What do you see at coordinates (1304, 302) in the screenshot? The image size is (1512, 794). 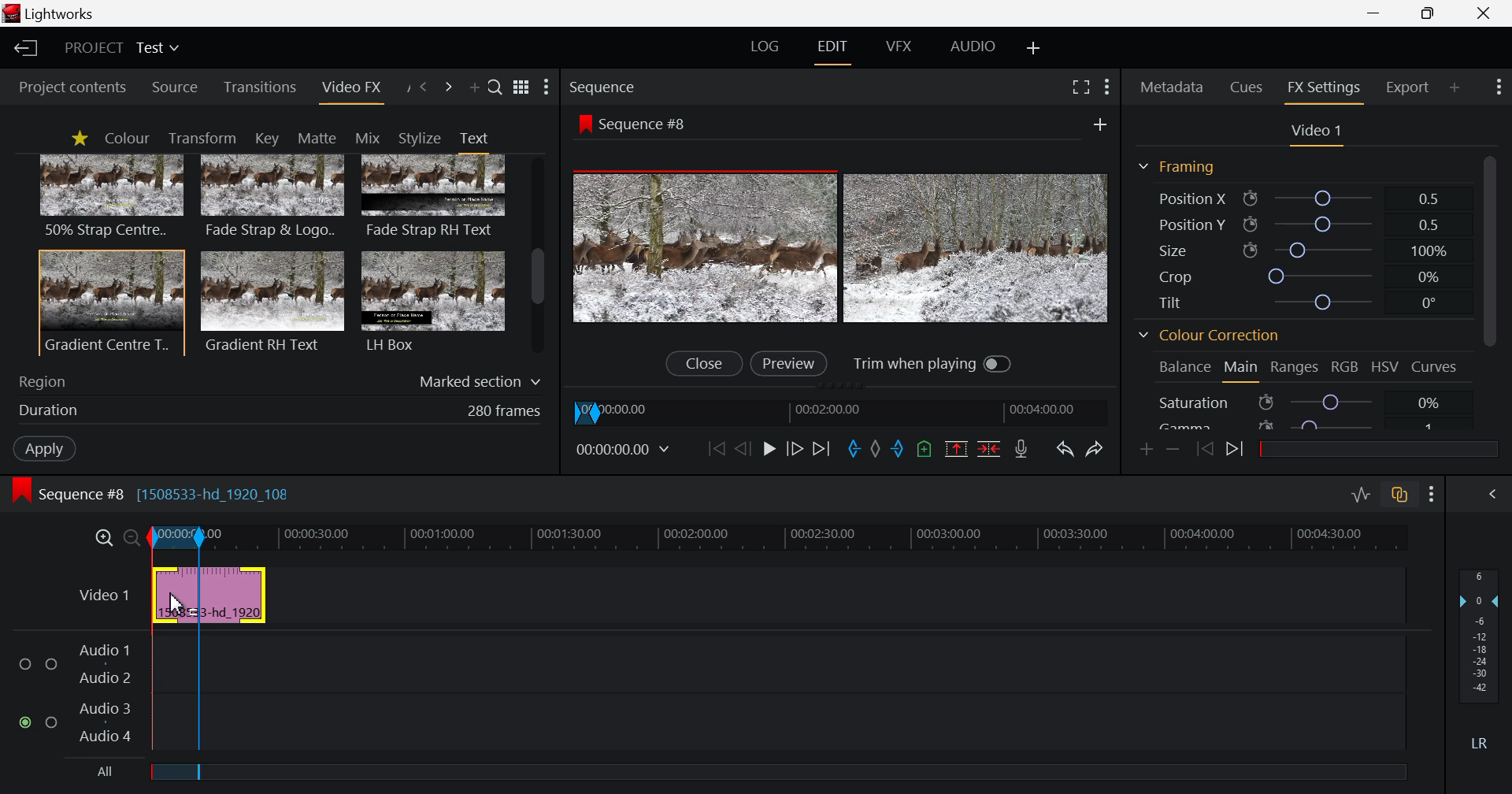 I see `Tilt` at bounding box center [1304, 302].